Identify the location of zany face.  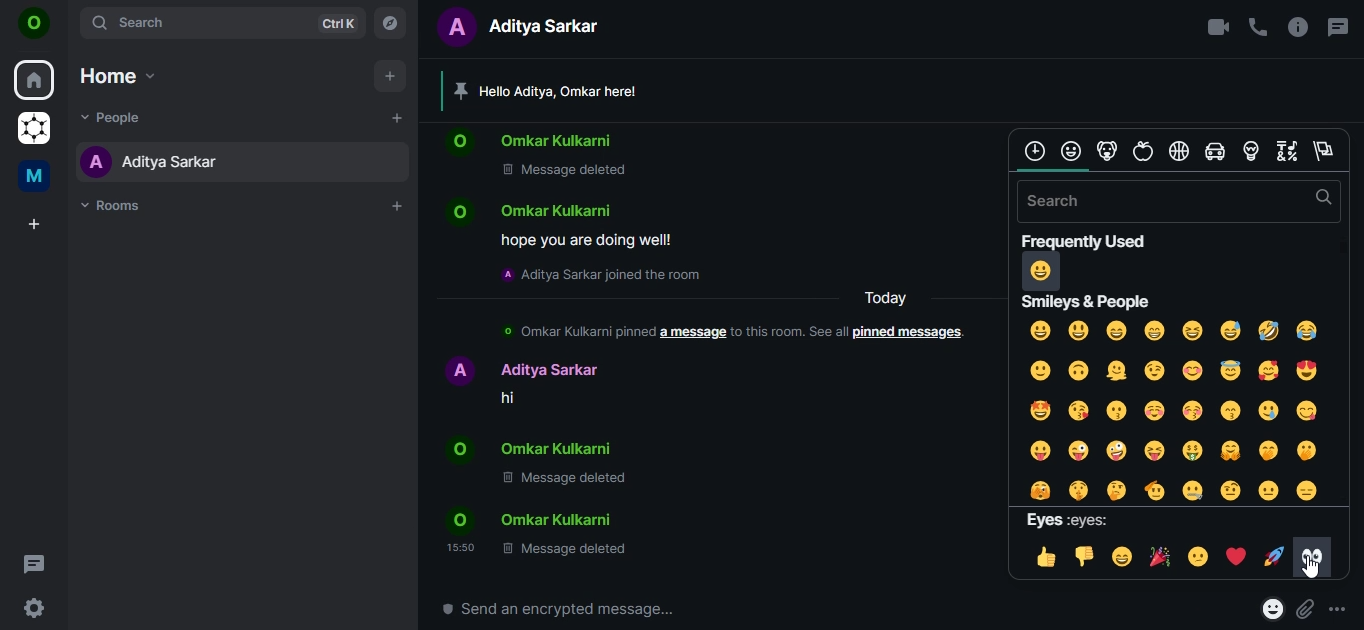
(1115, 449).